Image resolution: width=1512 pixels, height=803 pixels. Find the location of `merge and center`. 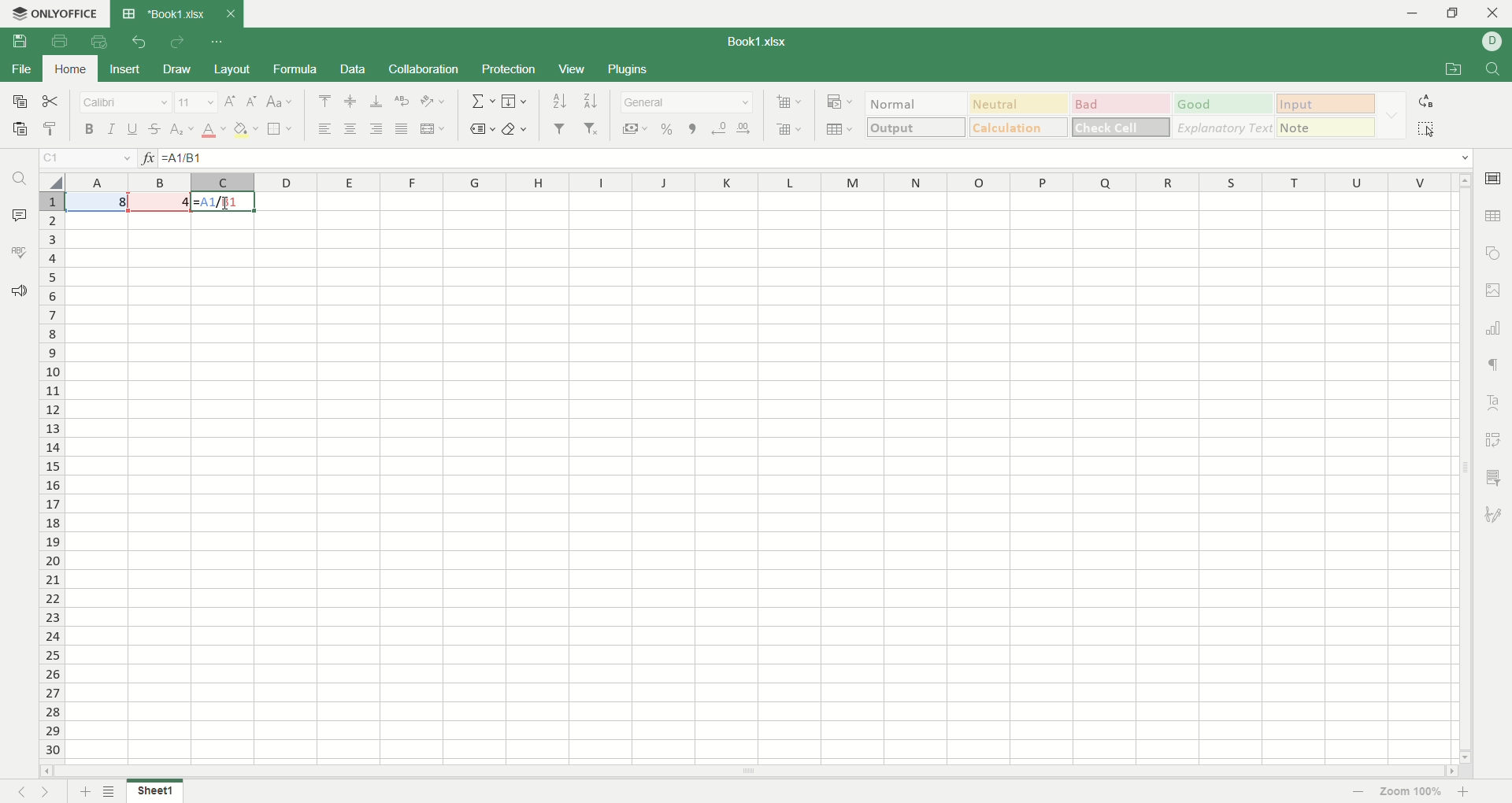

merge and center is located at coordinates (434, 129).